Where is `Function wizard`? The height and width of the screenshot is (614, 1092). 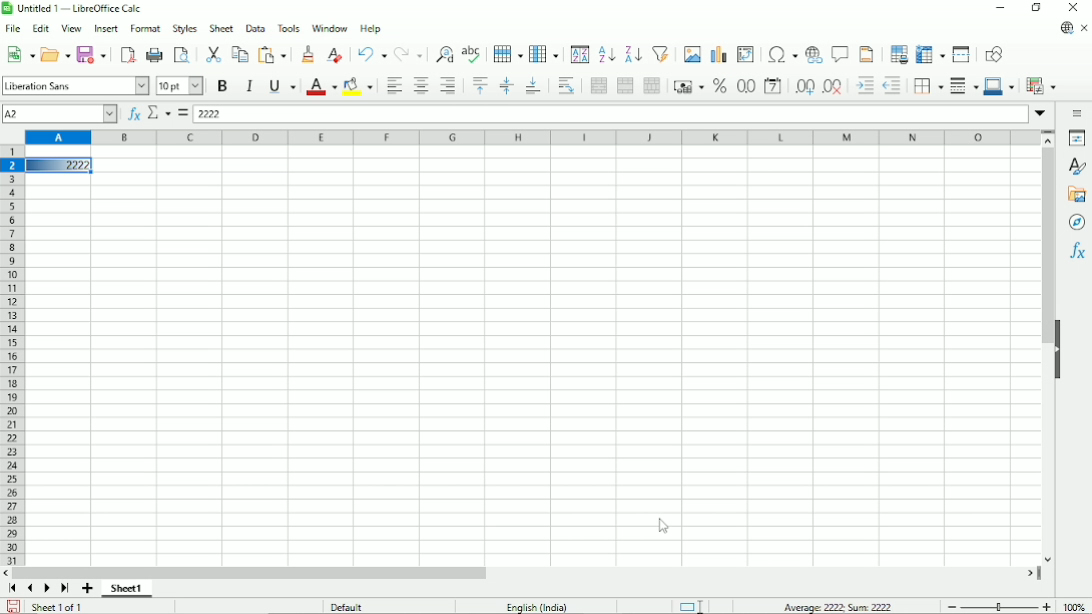 Function wizard is located at coordinates (134, 114).